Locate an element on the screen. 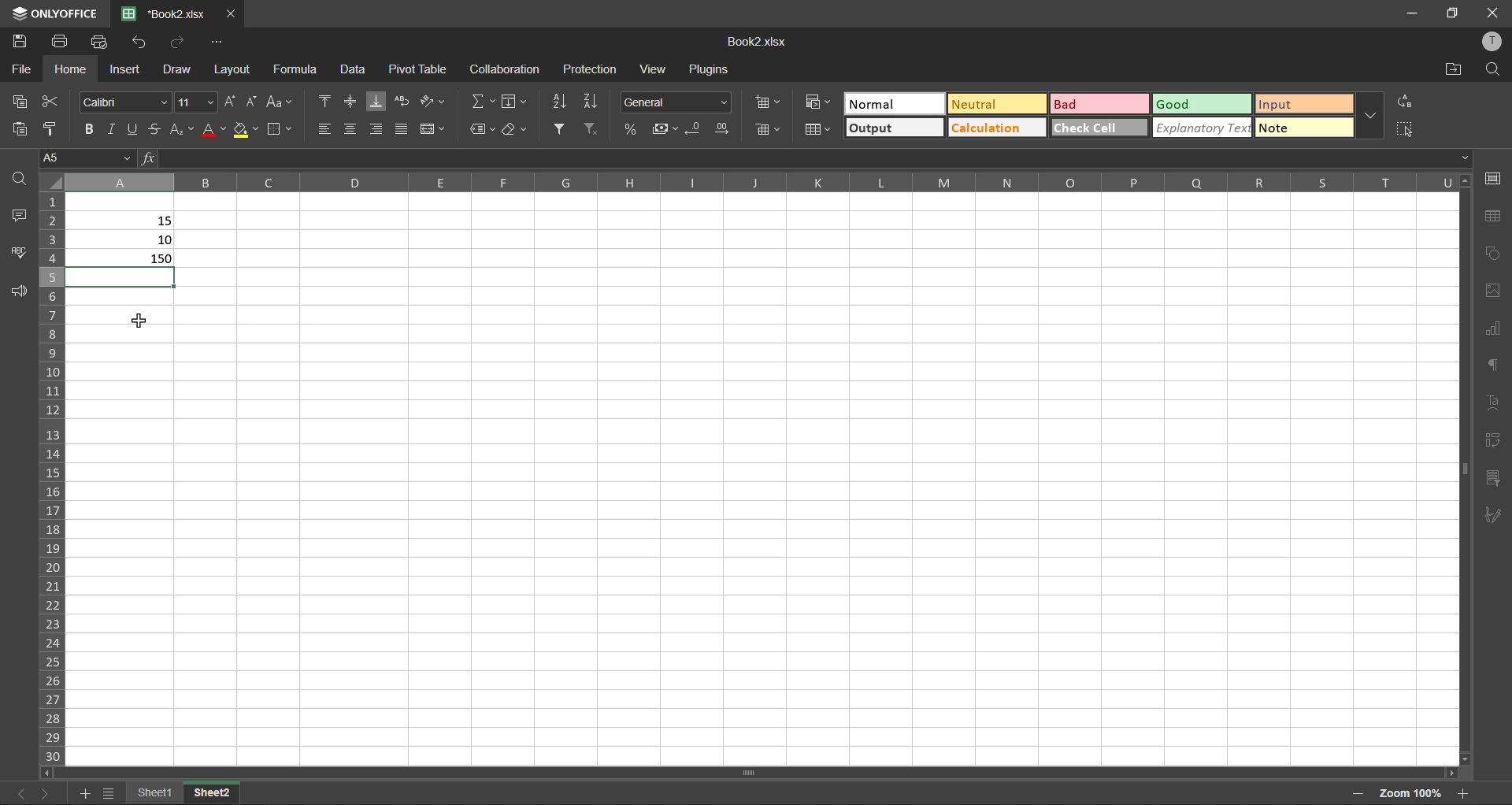 The height and width of the screenshot is (805, 1512). text is located at coordinates (1491, 399).